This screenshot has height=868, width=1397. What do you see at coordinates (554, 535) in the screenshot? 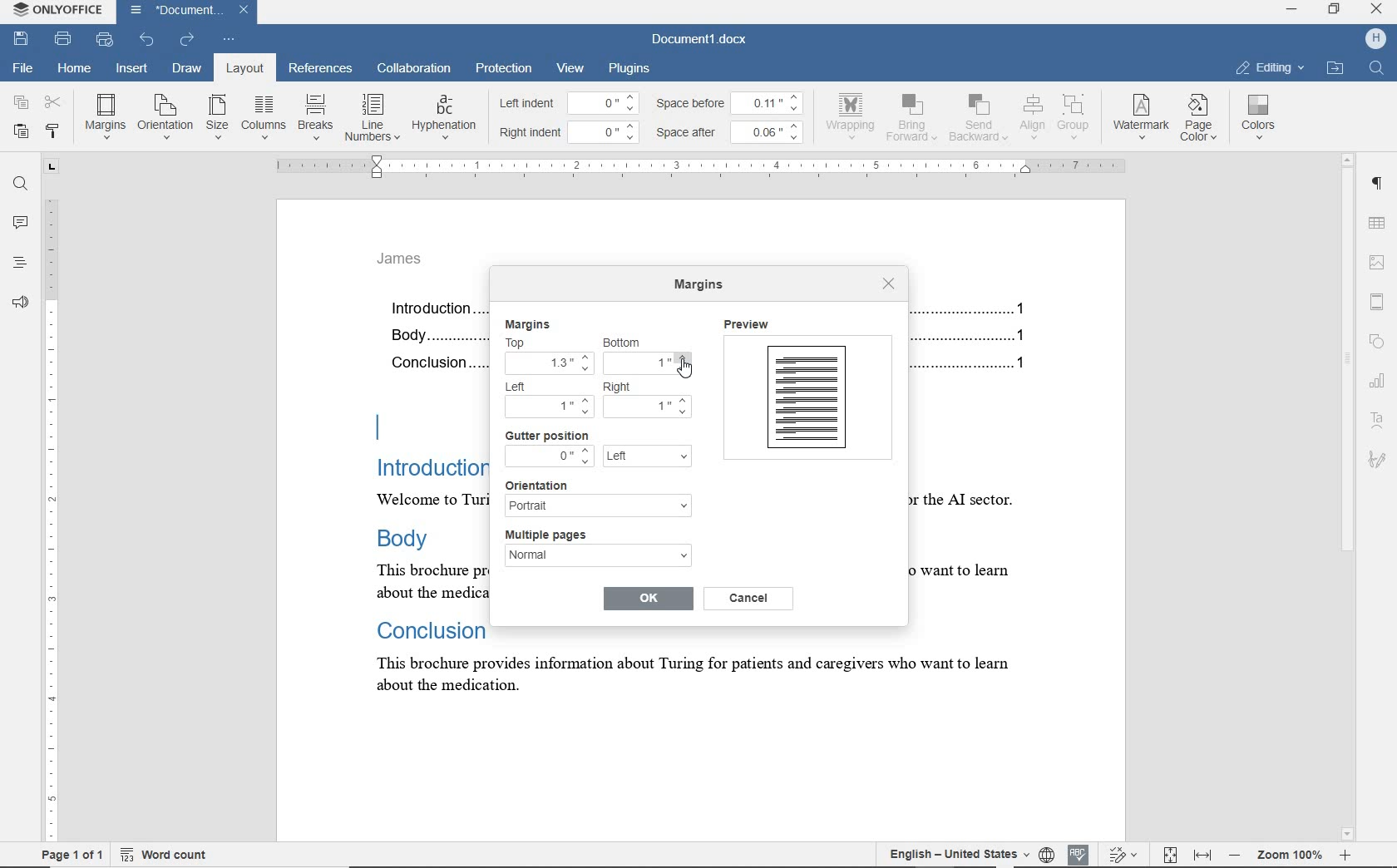
I see `multiple pages` at bounding box center [554, 535].